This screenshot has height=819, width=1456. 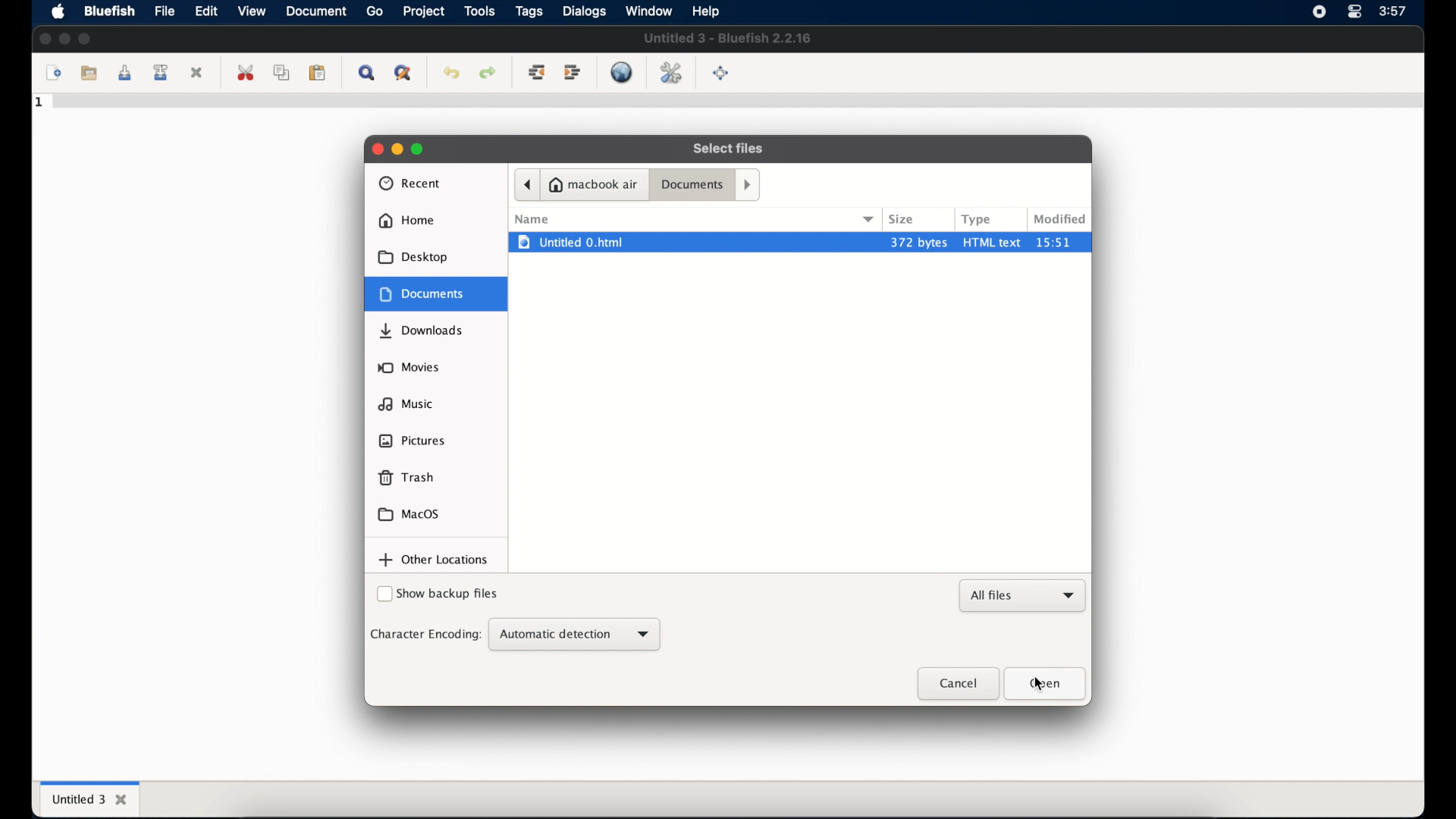 What do you see at coordinates (206, 12) in the screenshot?
I see `edit` at bounding box center [206, 12].